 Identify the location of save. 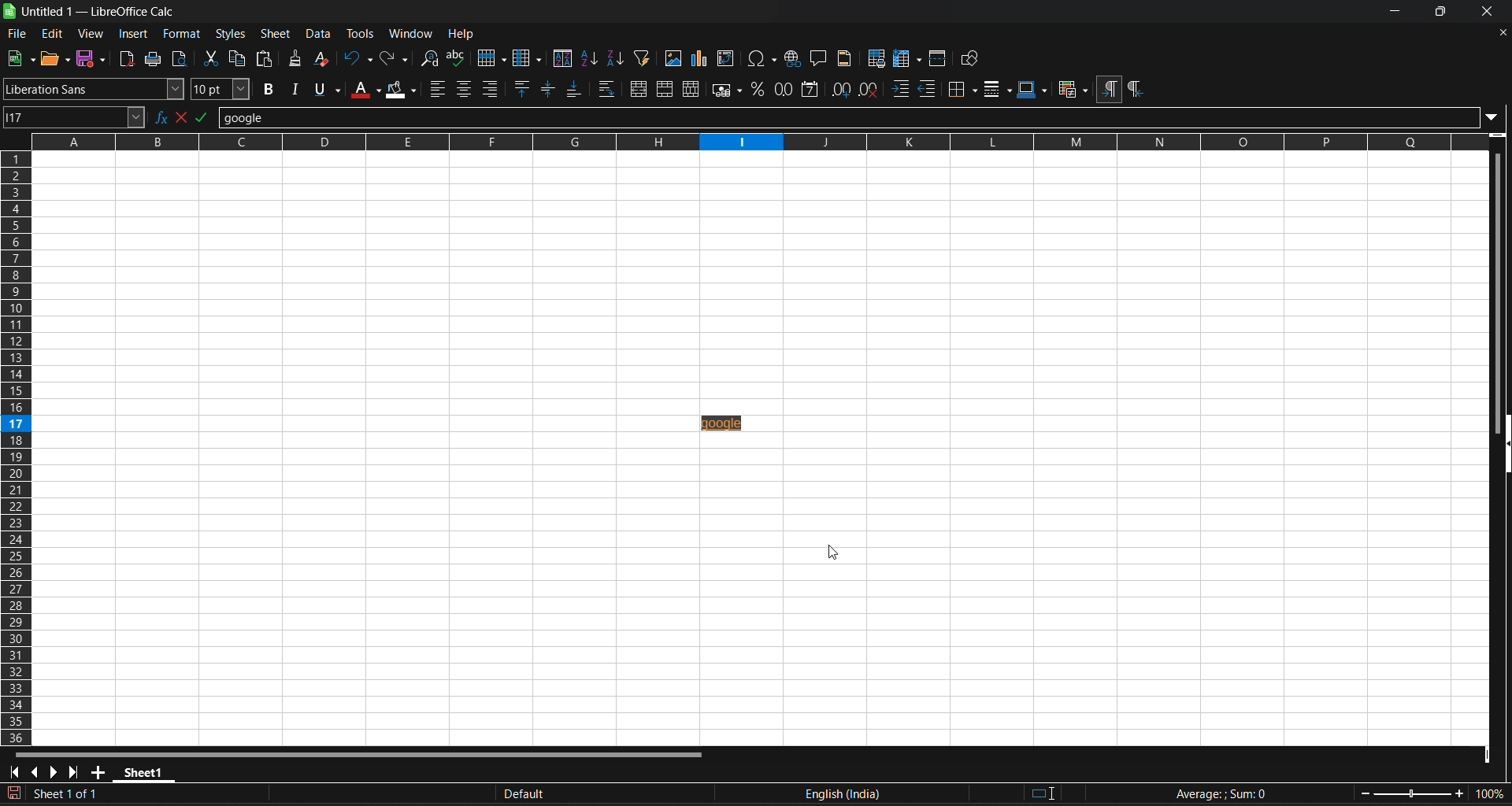
(92, 59).